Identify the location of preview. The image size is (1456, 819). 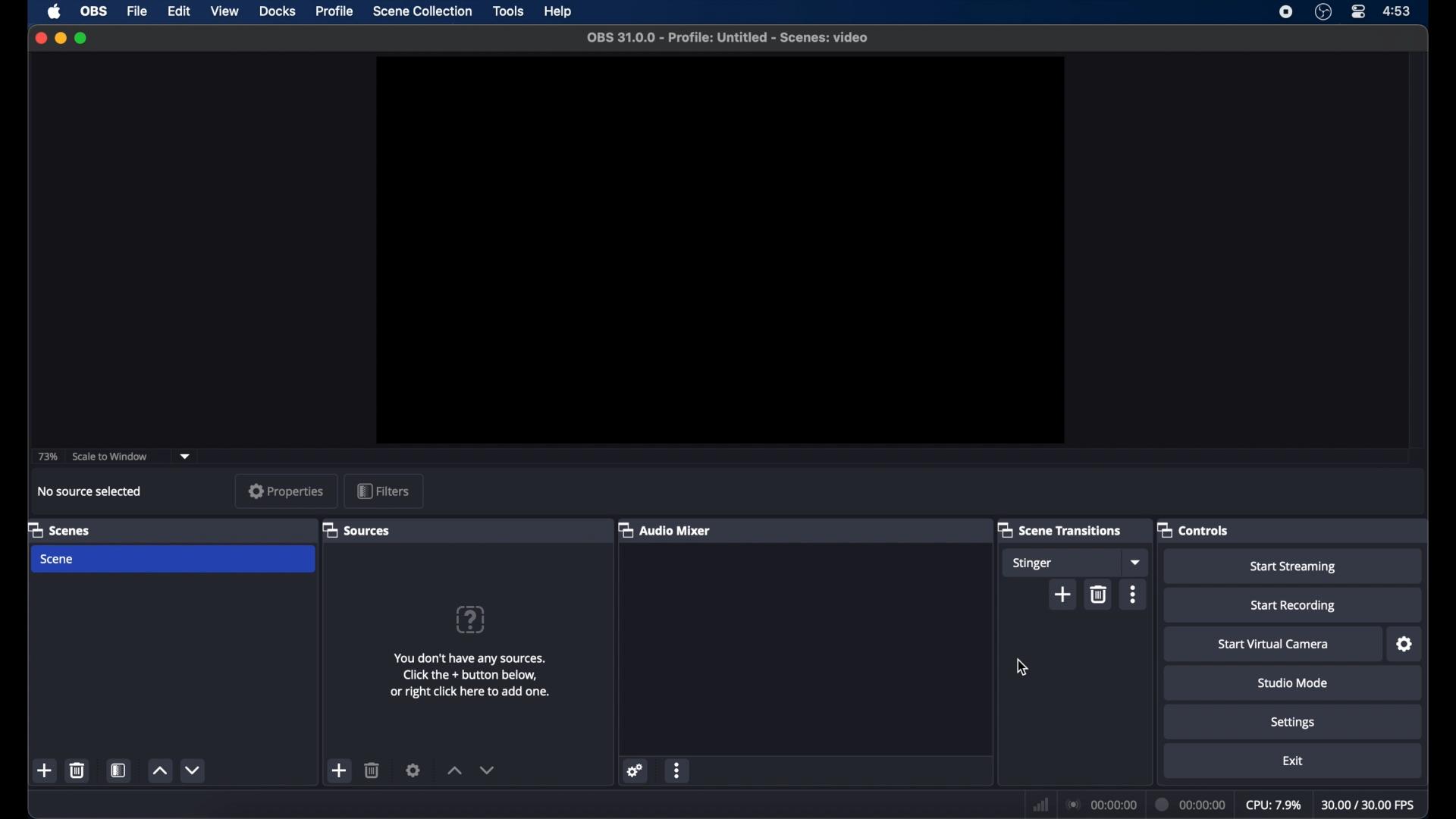
(722, 250).